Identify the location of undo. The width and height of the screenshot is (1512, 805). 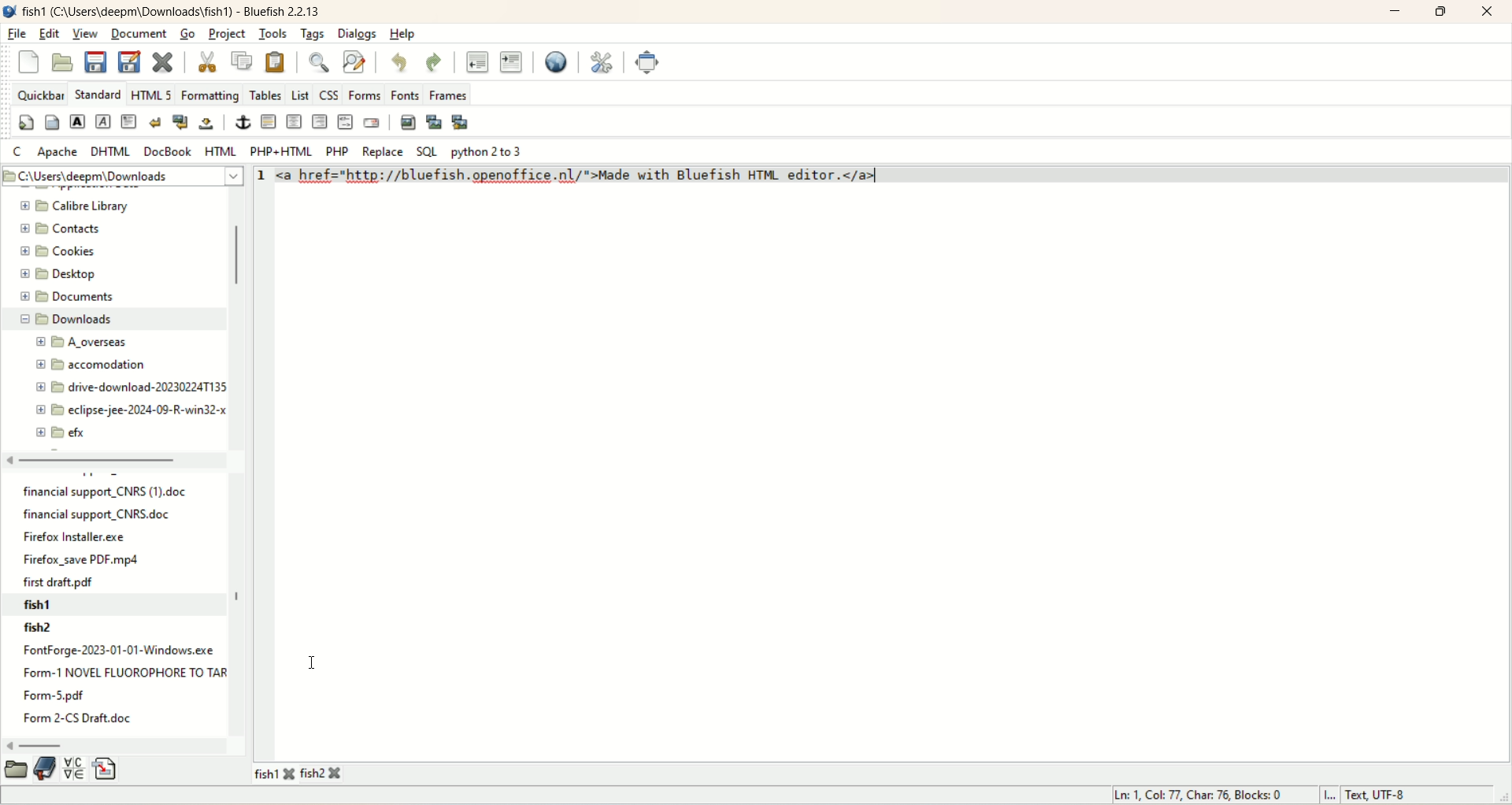
(401, 62).